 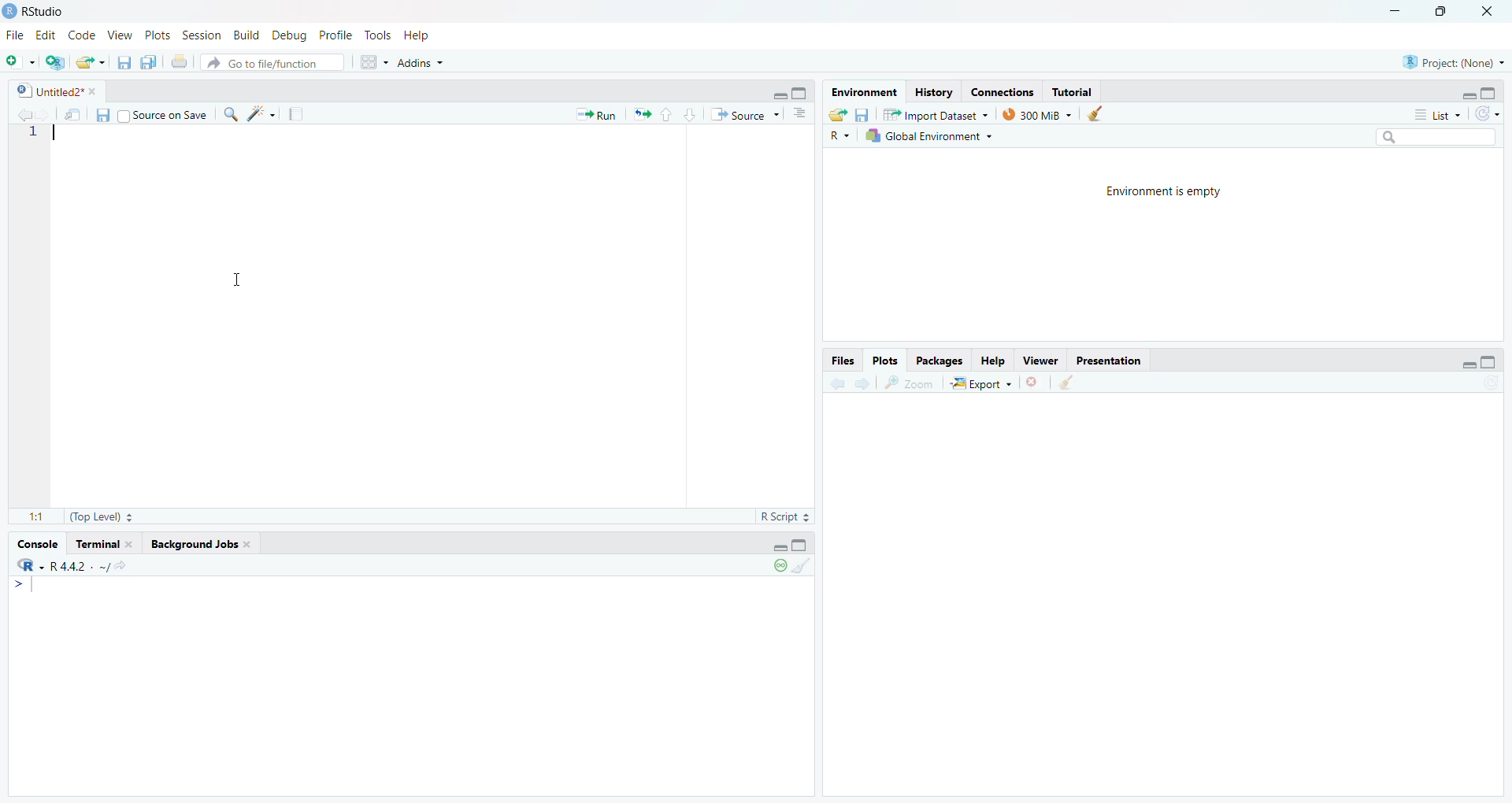 What do you see at coordinates (981, 383) in the screenshot?
I see ` Export +` at bounding box center [981, 383].